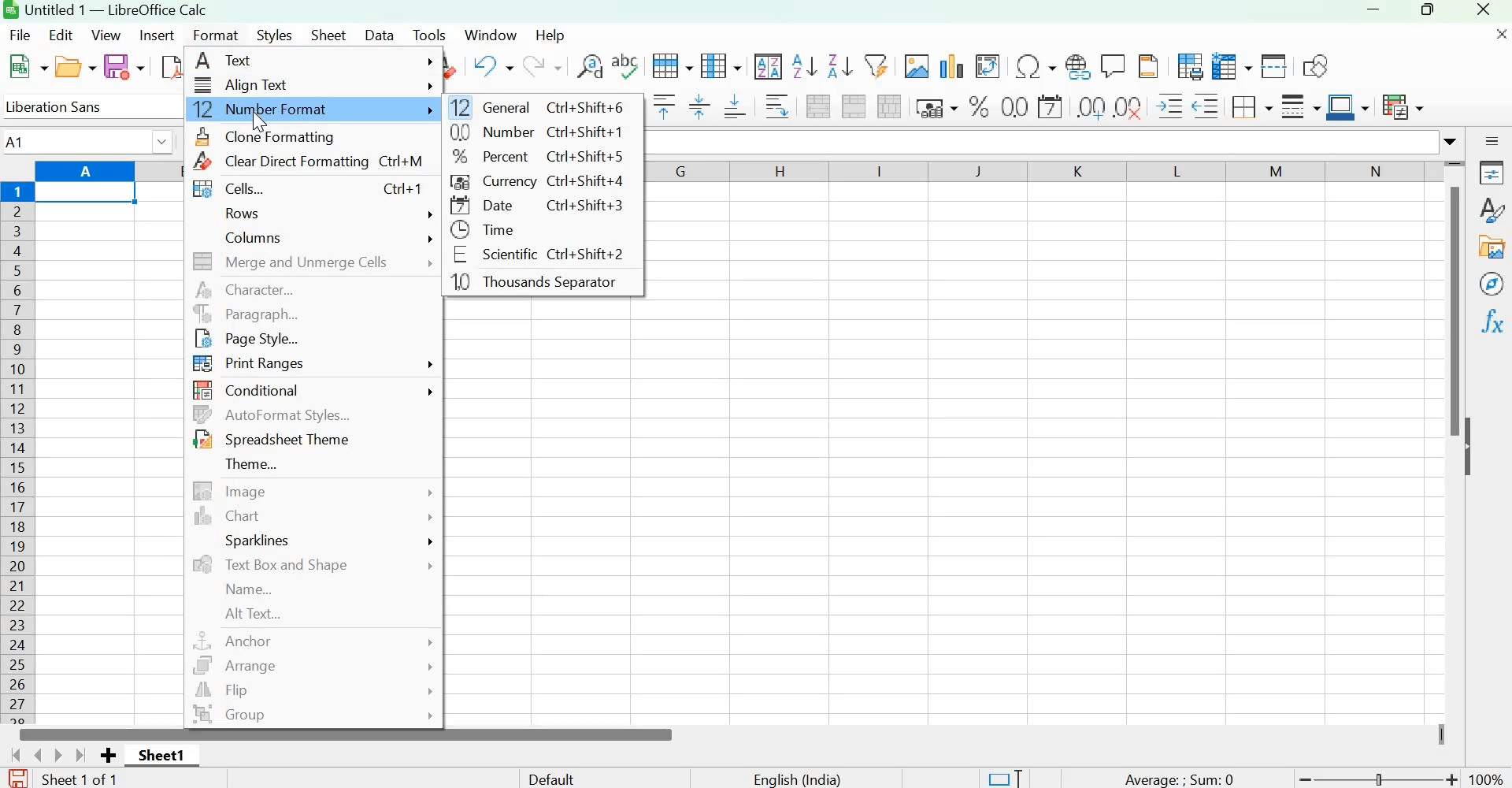 The image size is (1512, 788). Describe the element at coordinates (1486, 11) in the screenshot. I see `Close` at that location.